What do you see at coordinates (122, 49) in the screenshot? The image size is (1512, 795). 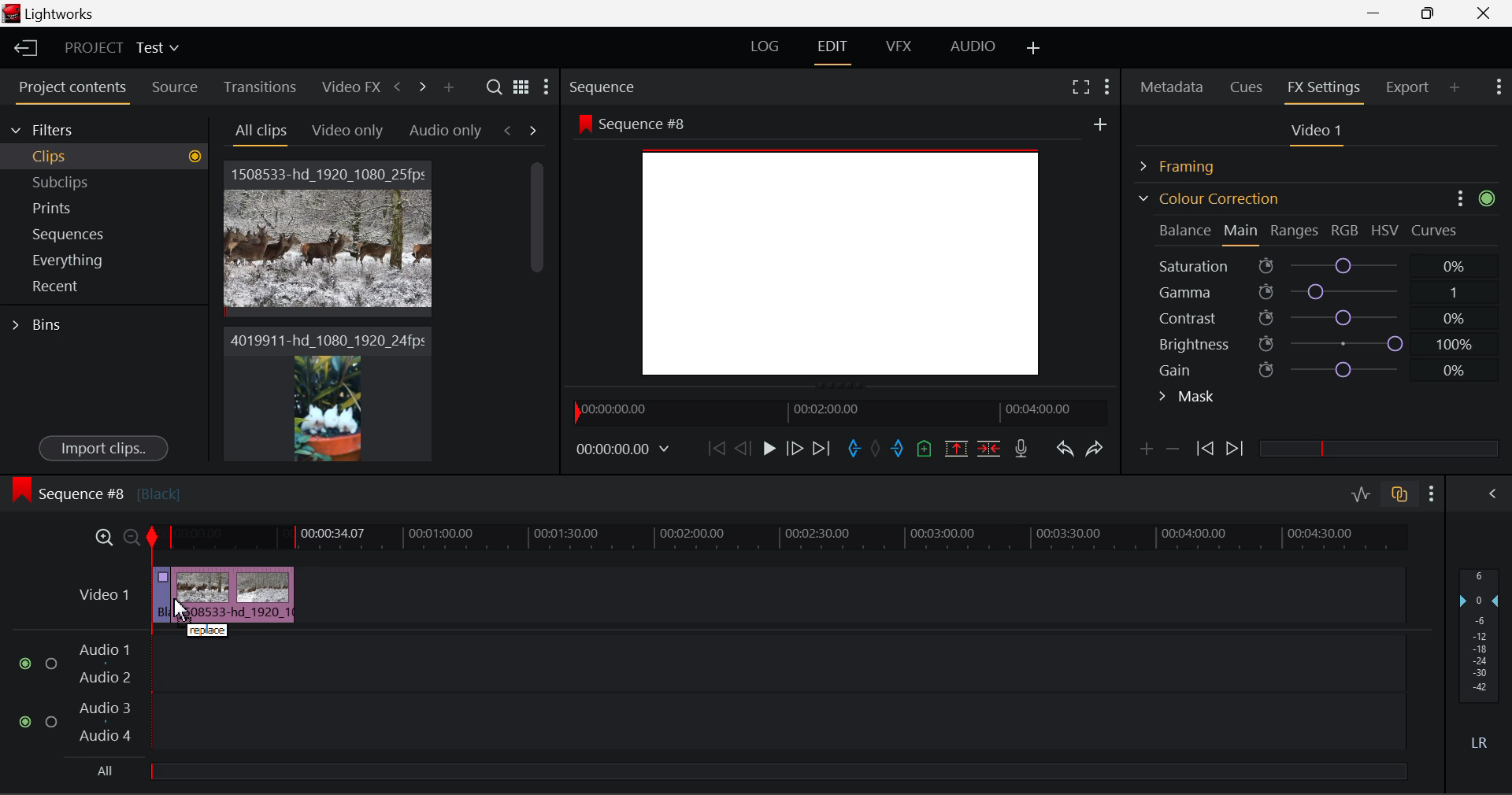 I see `Project Title` at bounding box center [122, 49].